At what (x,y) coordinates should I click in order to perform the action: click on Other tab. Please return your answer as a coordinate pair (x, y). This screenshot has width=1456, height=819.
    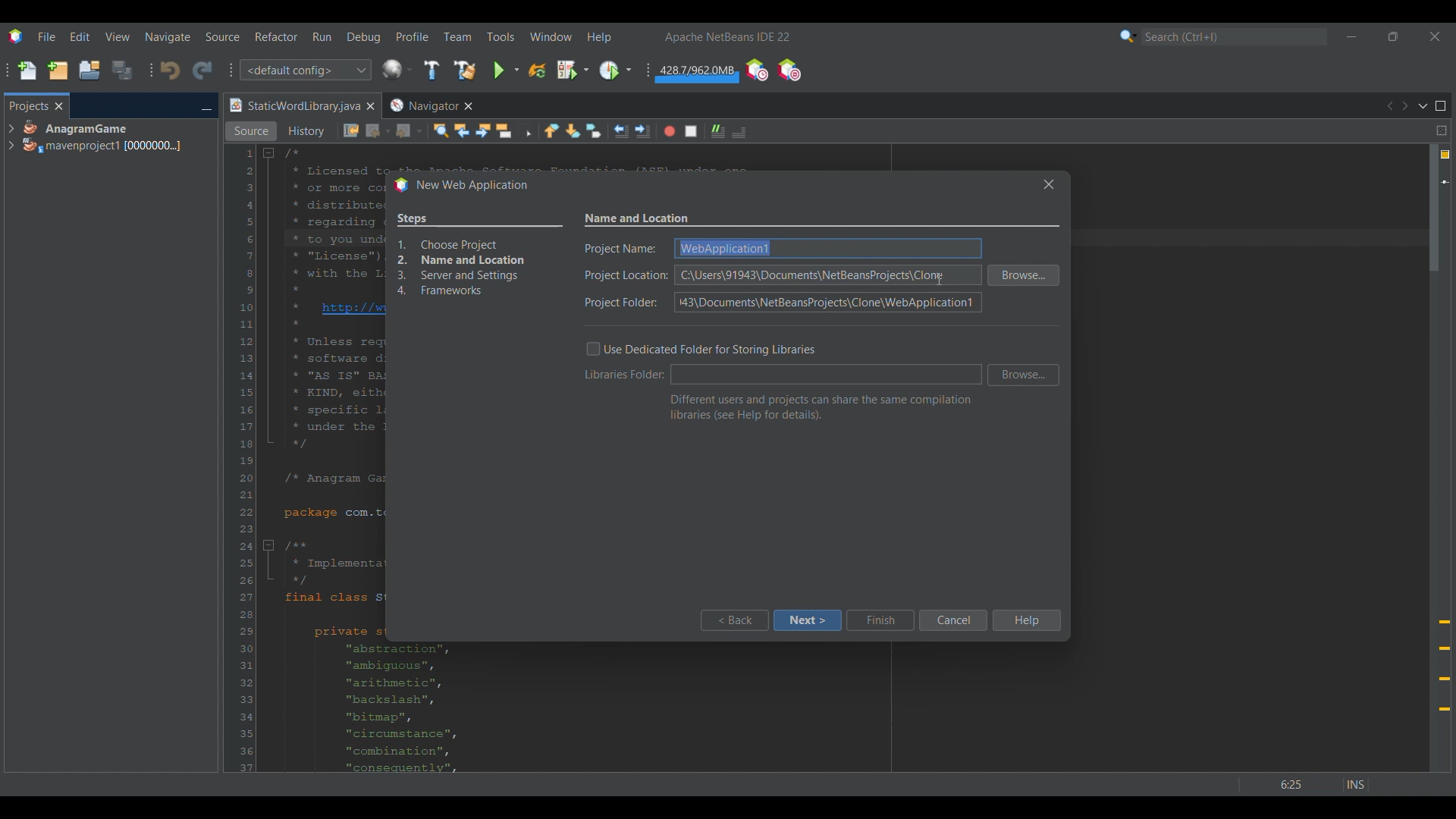
    Looking at the image, I should click on (430, 105).